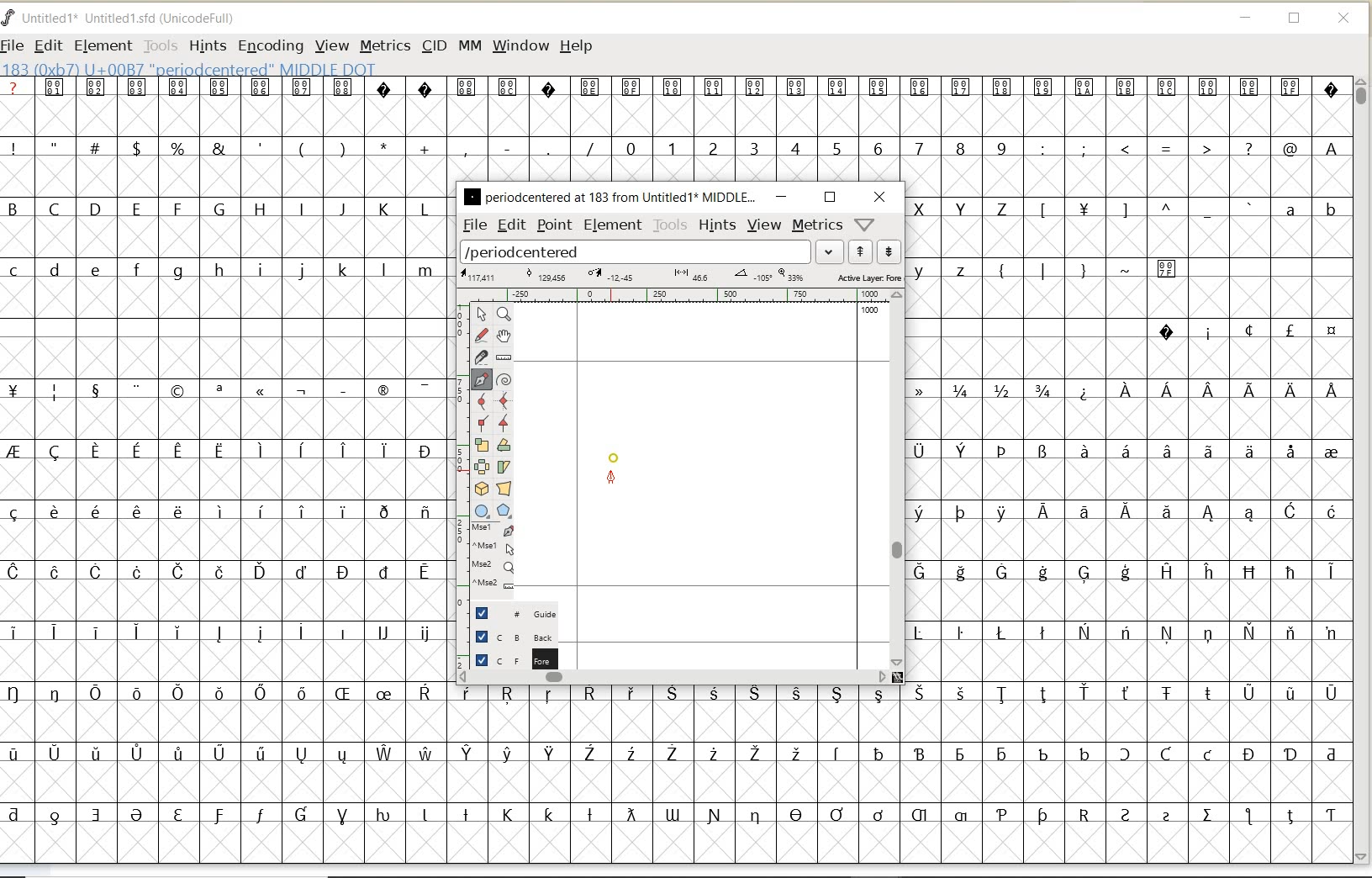  I want to click on CID, so click(434, 48).